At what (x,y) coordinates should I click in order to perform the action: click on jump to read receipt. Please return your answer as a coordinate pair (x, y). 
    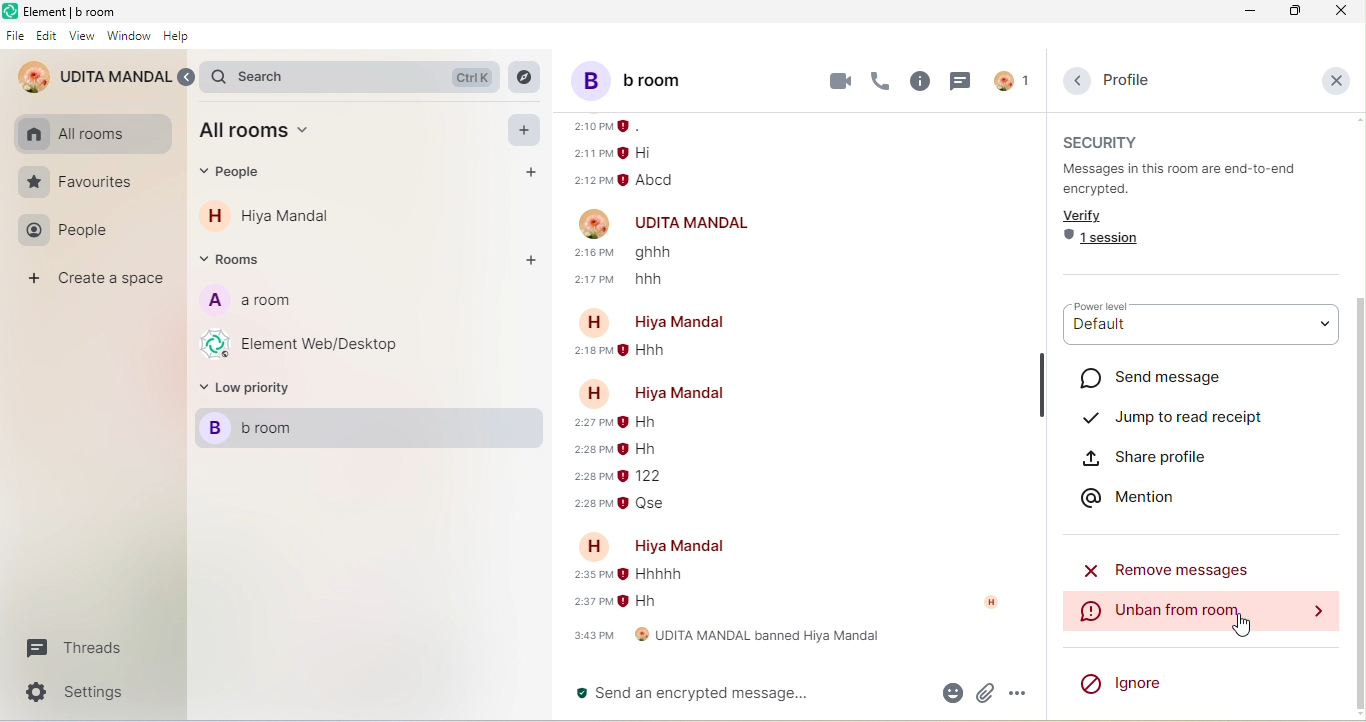
    Looking at the image, I should click on (1174, 412).